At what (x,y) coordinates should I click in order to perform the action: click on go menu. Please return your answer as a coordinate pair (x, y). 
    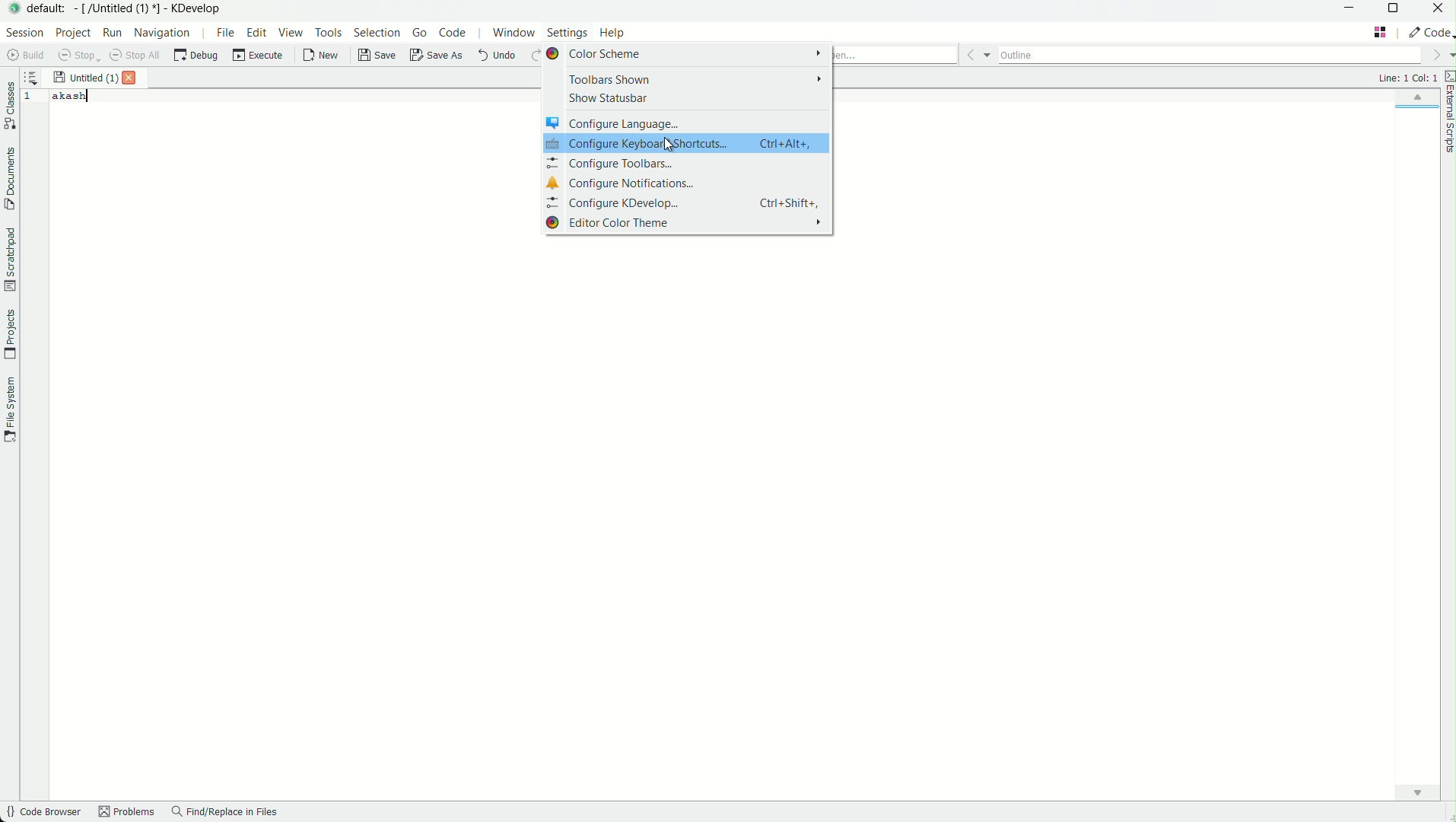
    Looking at the image, I should click on (421, 33).